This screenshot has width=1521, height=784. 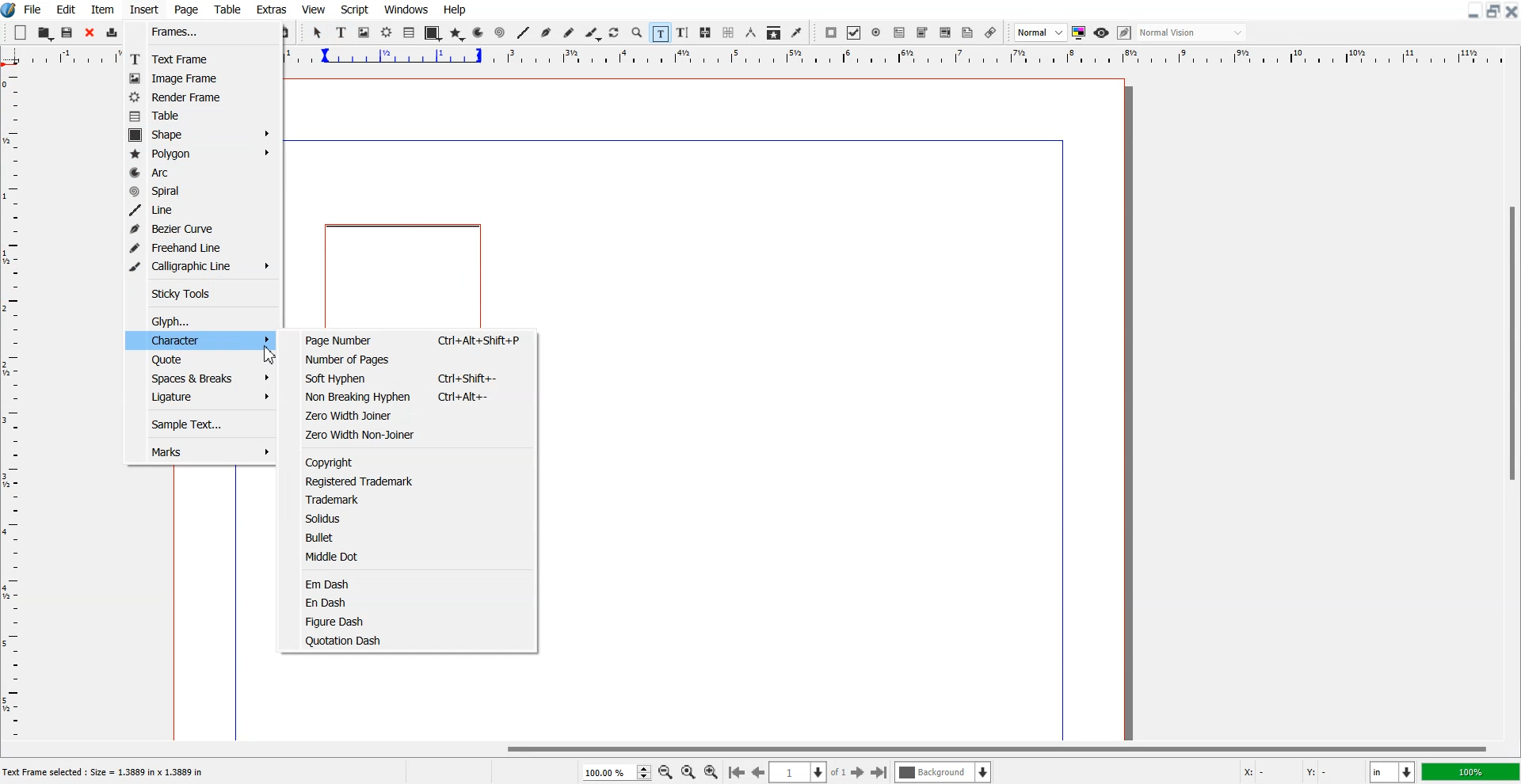 I want to click on Calligraphic Line, so click(x=200, y=265).